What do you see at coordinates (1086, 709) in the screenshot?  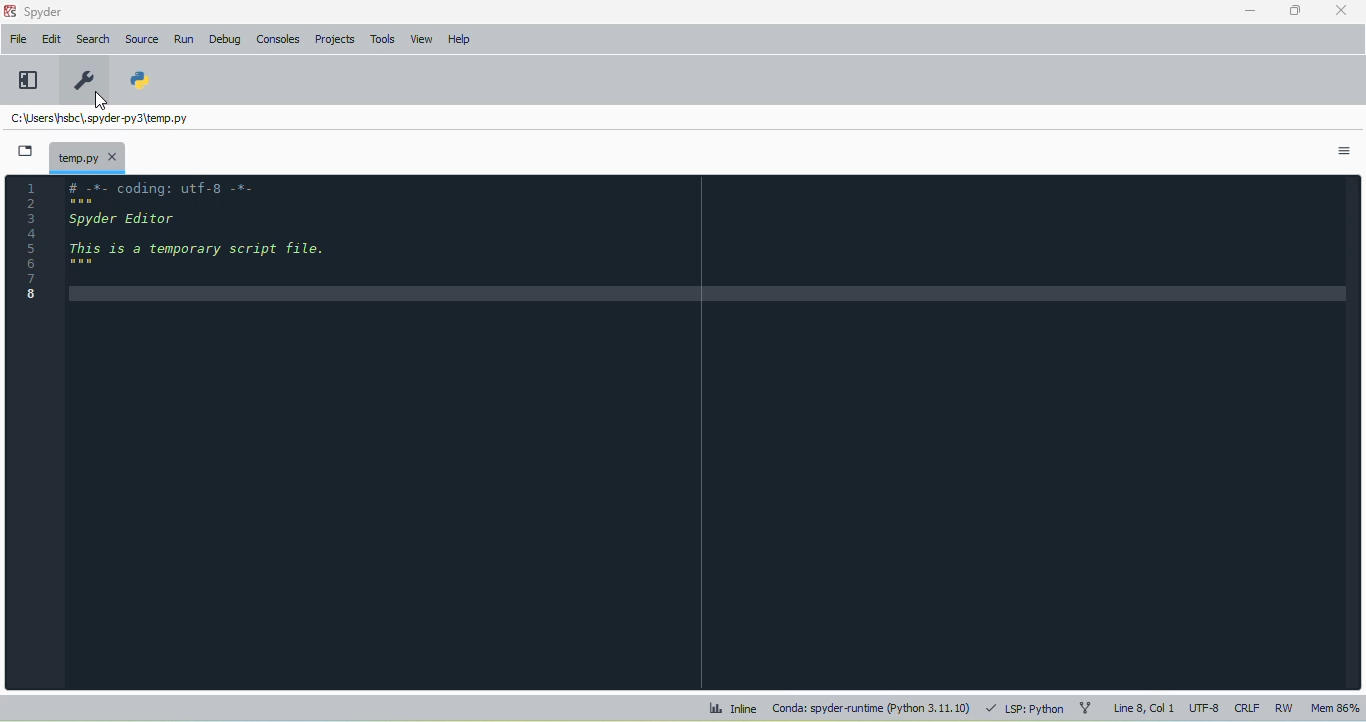 I see `git branch` at bounding box center [1086, 709].